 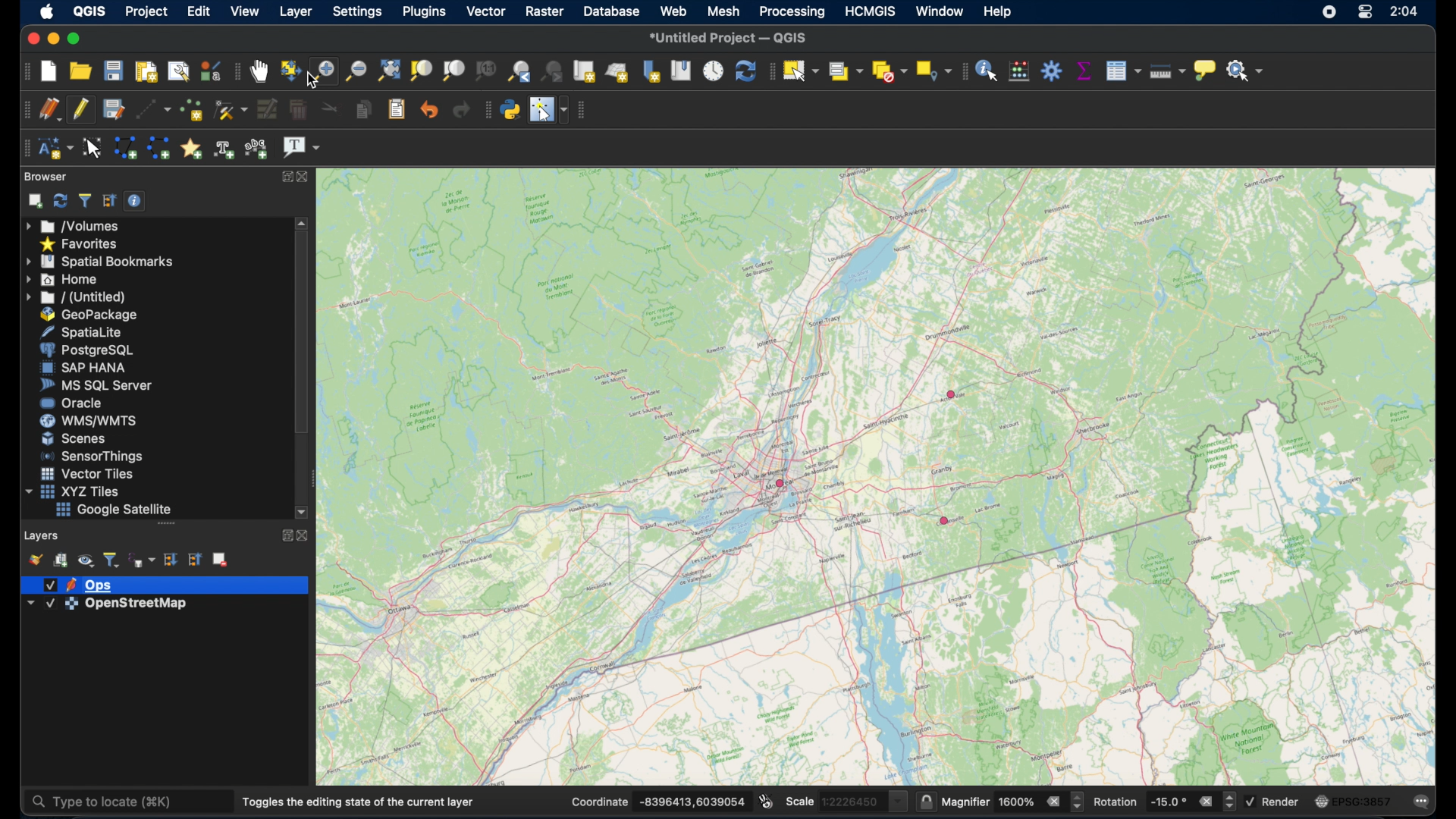 I want to click on favorites, so click(x=81, y=243).